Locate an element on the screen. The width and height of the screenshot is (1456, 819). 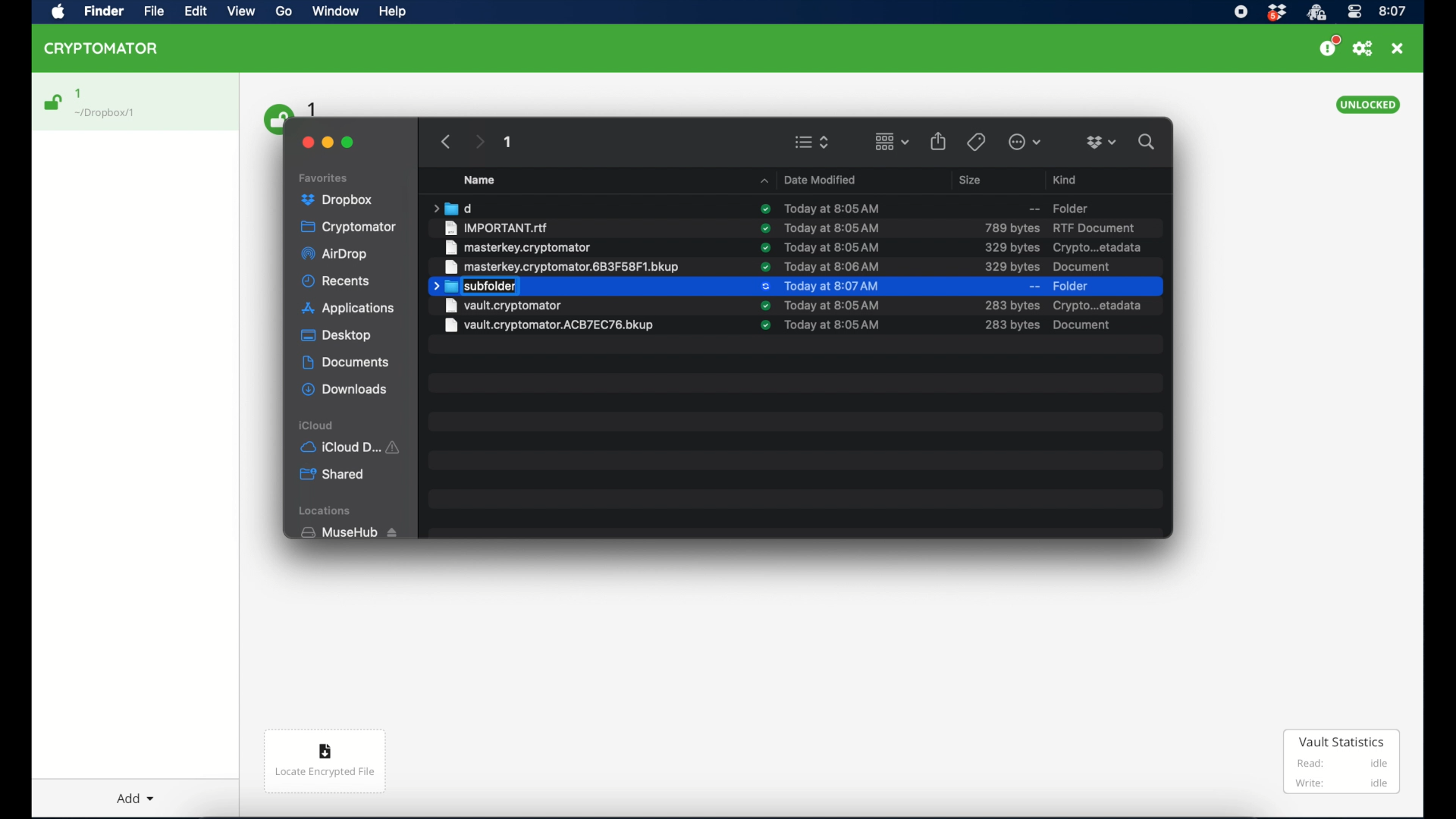
tags is located at coordinates (975, 141).